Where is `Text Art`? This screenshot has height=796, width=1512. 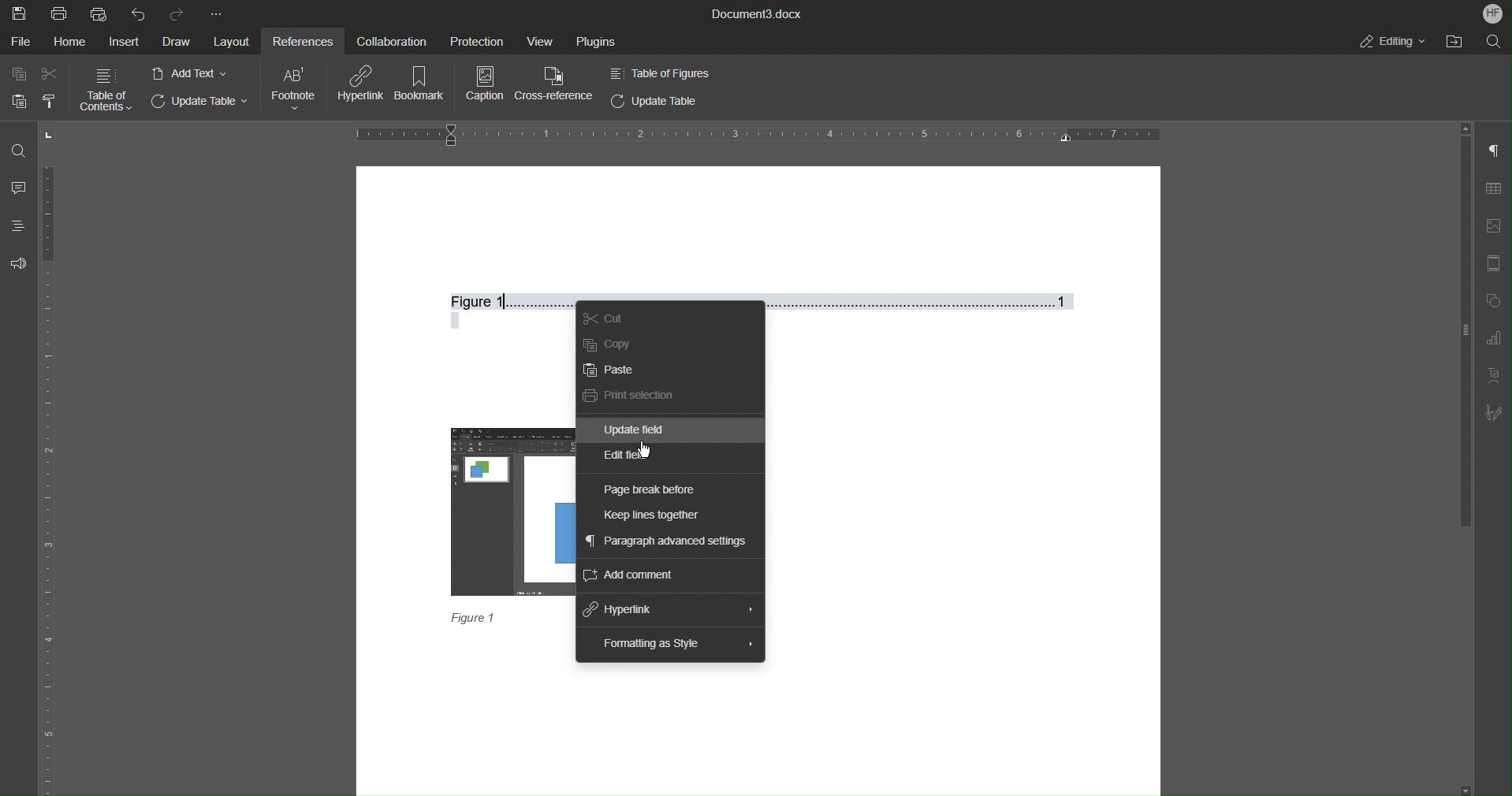 Text Art is located at coordinates (1495, 377).